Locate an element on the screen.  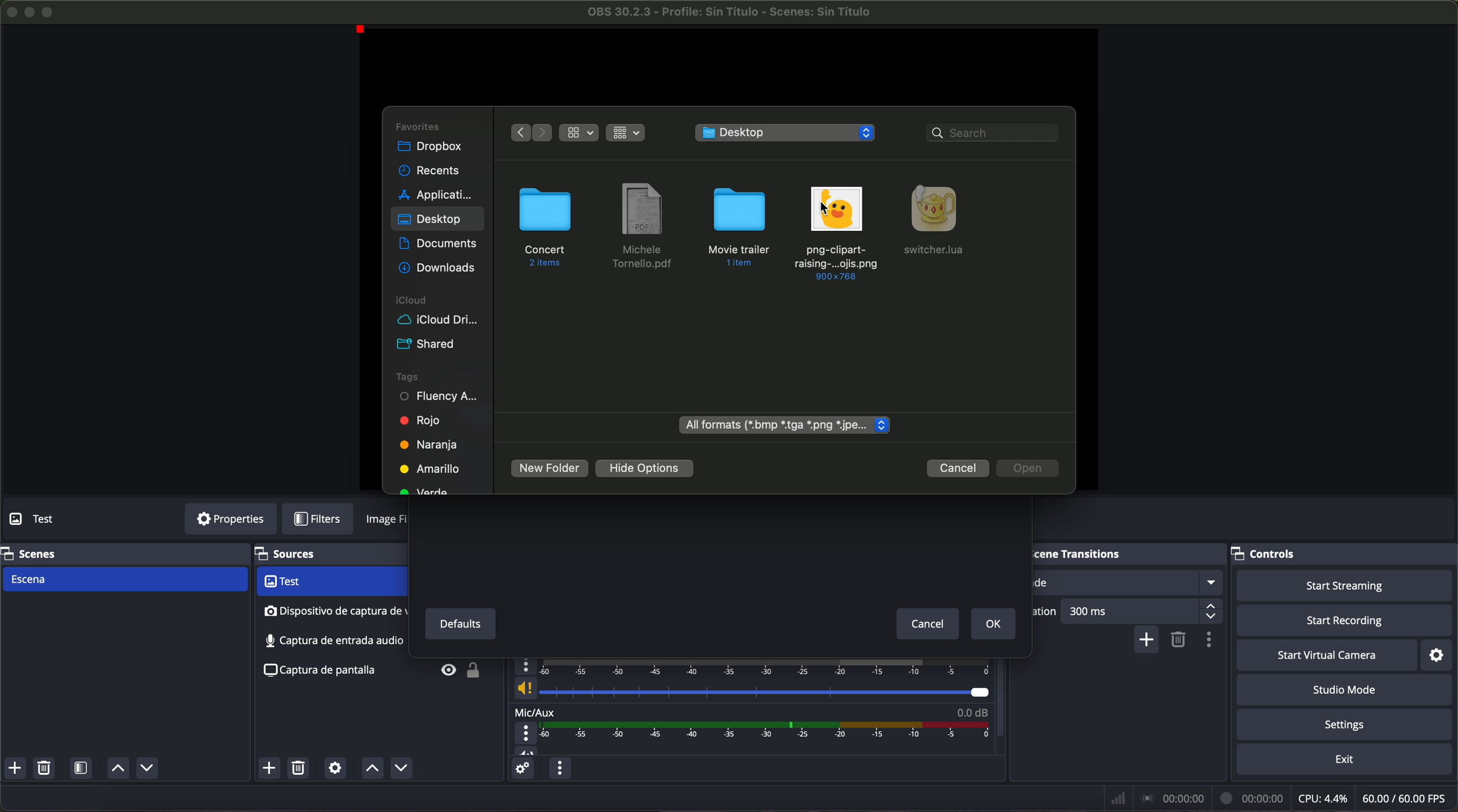
defaults is located at coordinates (459, 624).